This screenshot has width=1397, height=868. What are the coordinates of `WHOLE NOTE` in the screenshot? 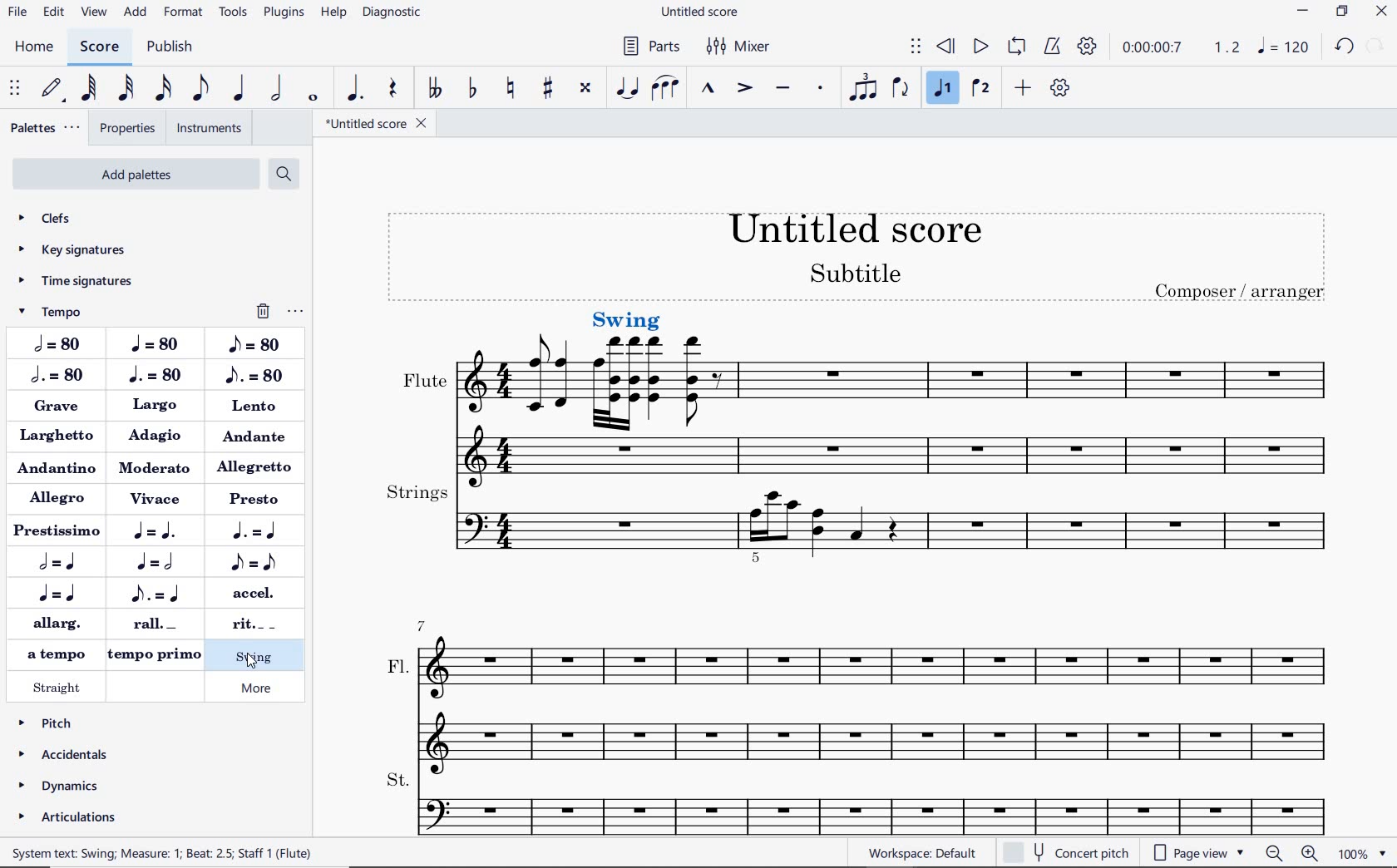 It's located at (313, 96).